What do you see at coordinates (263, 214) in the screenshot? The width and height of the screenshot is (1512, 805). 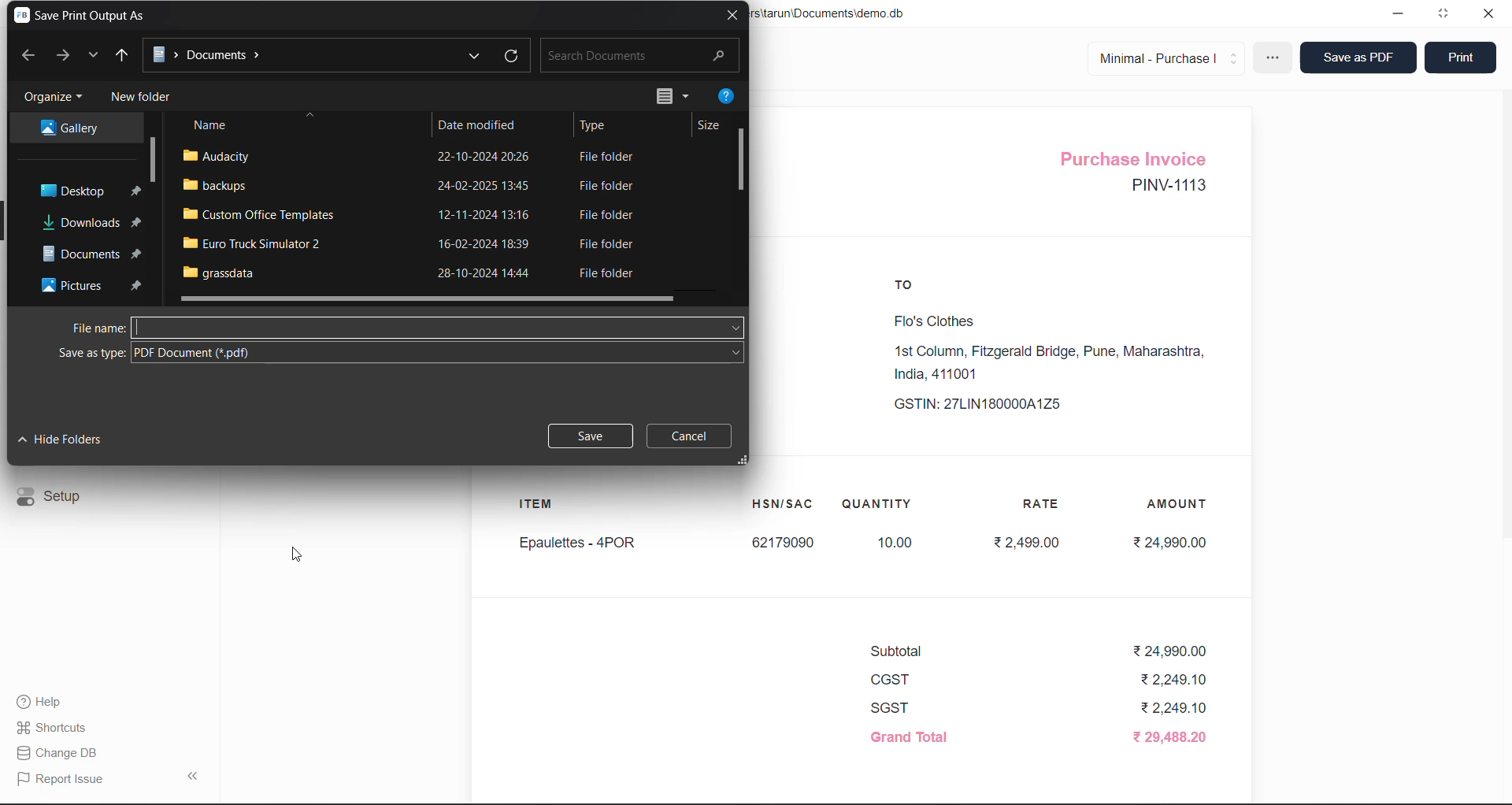 I see `Custom Office Templates` at bounding box center [263, 214].